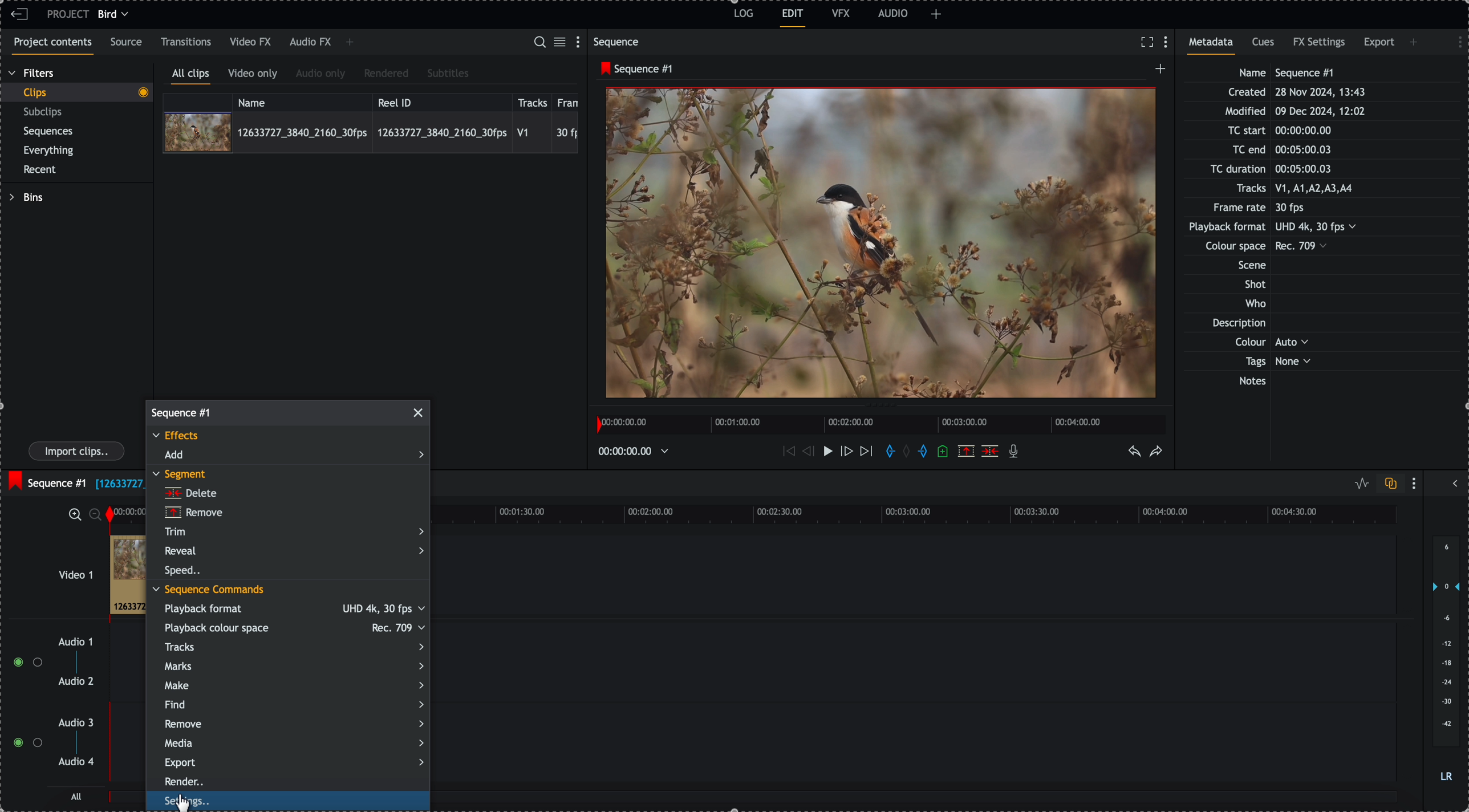 The height and width of the screenshot is (812, 1469). What do you see at coordinates (75, 762) in the screenshot?
I see `audio 4` at bounding box center [75, 762].